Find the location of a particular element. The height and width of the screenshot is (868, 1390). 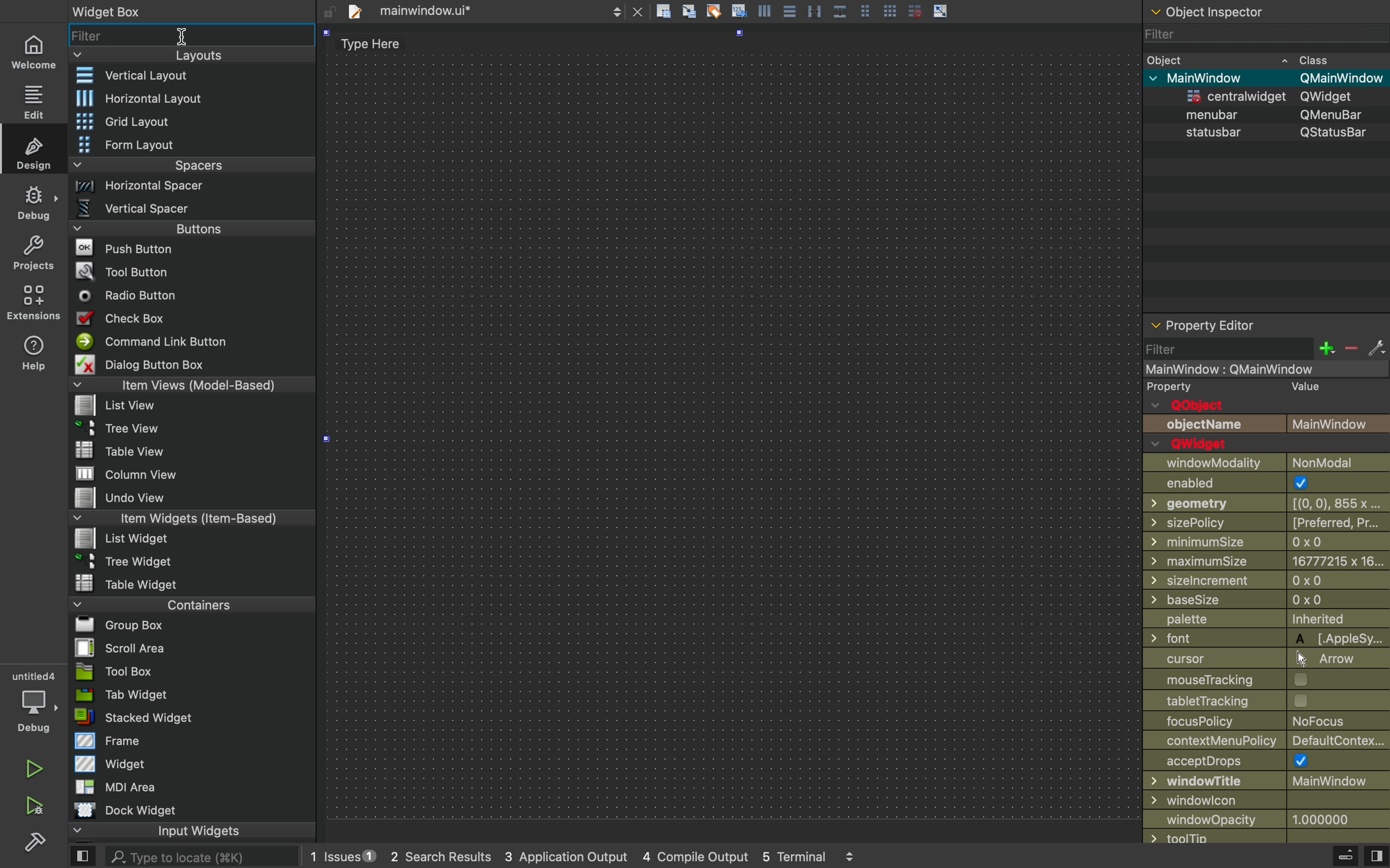

list view is located at coordinates (189, 405).